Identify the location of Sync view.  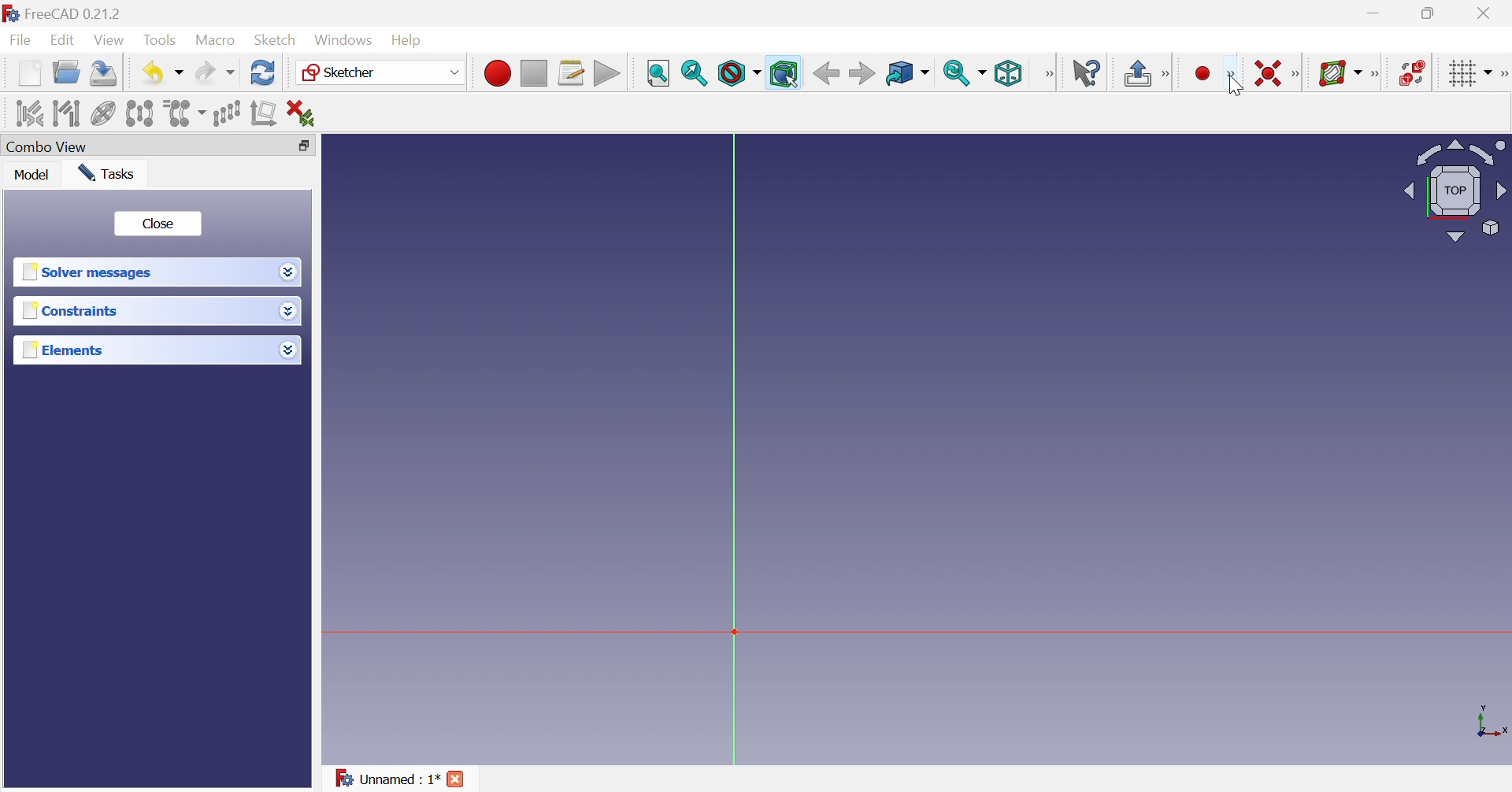
(965, 73).